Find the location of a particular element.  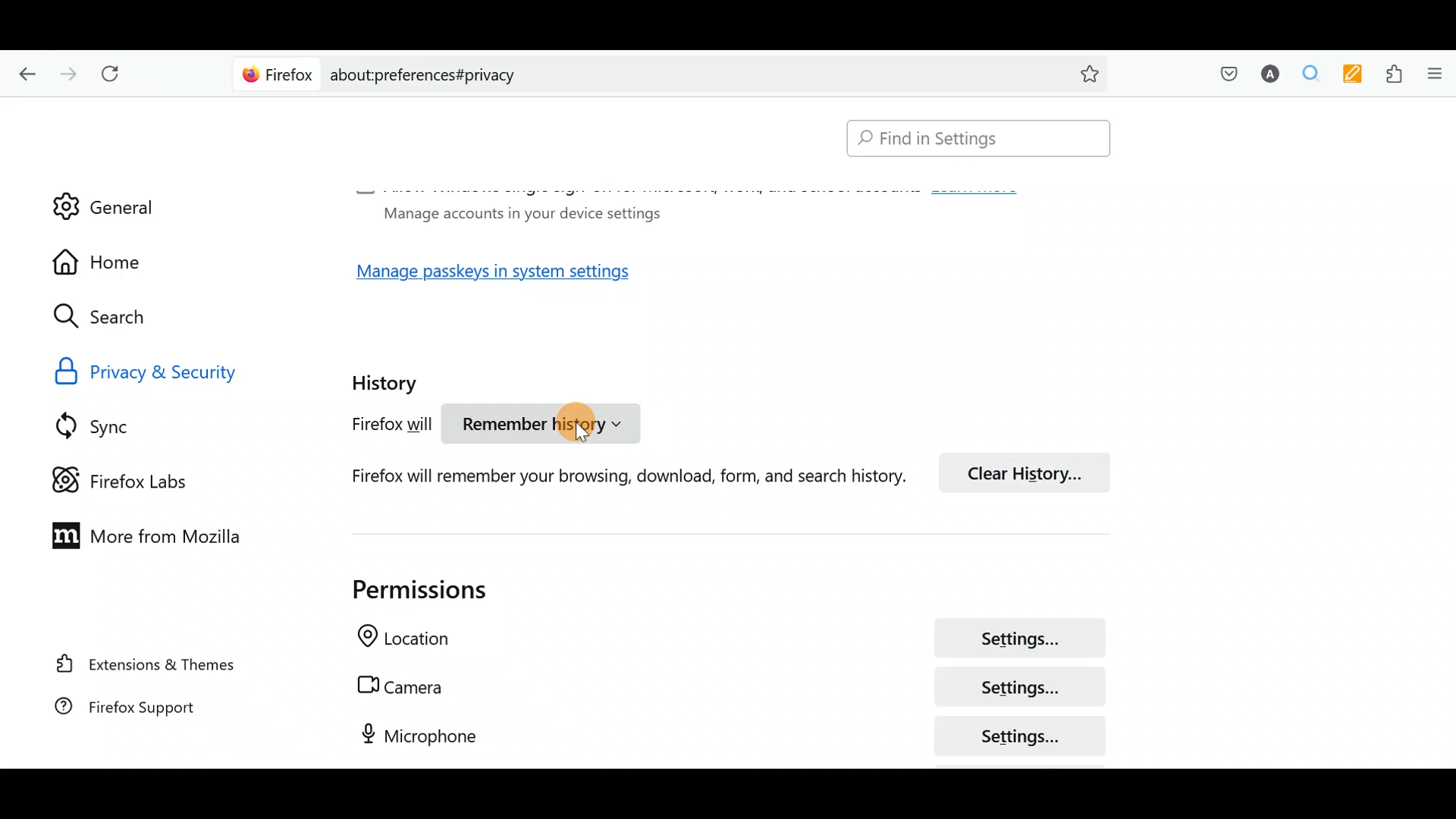

Multiple search & highlight is located at coordinates (1305, 75).